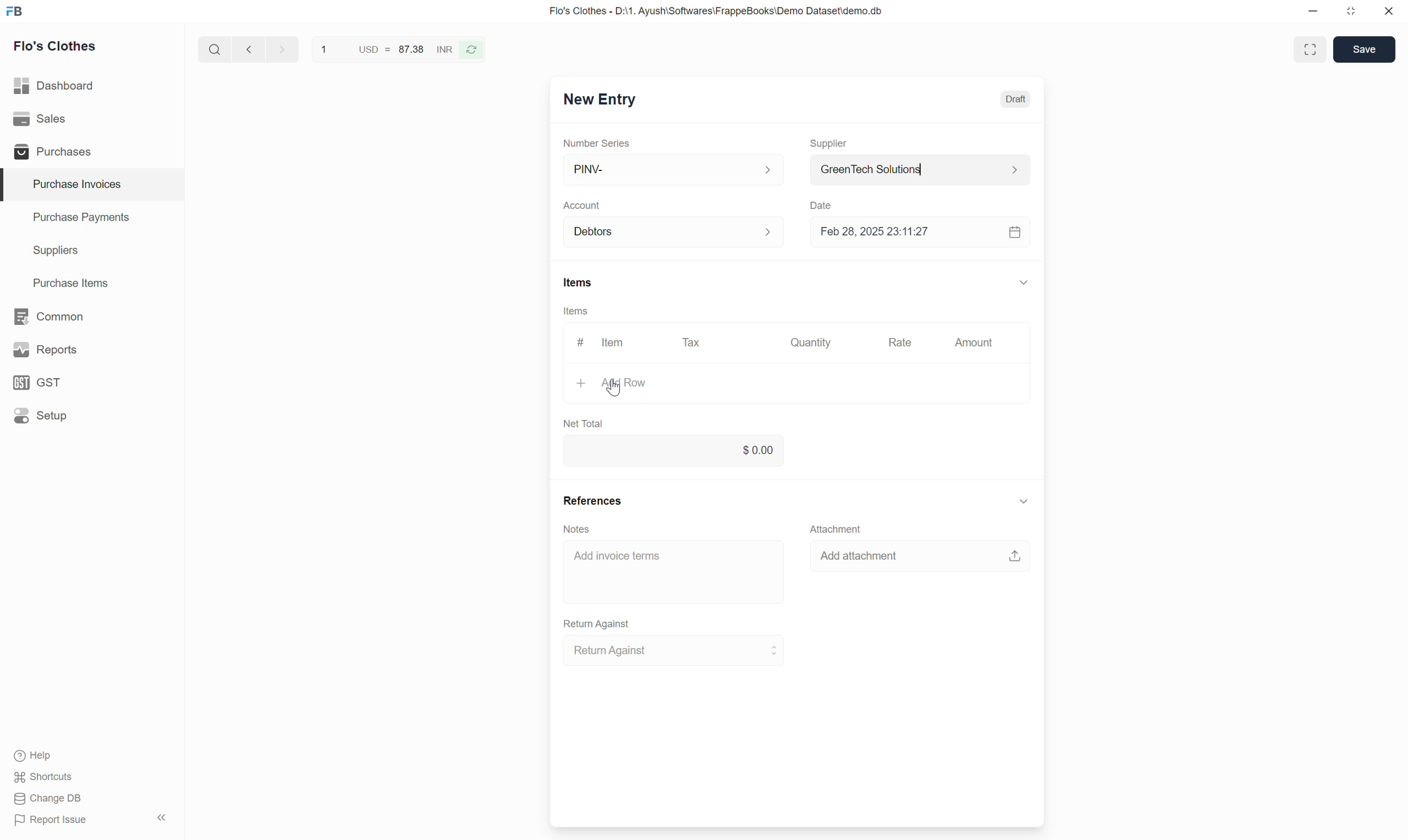  What do you see at coordinates (576, 311) in the screenshot?
I see `Items` at bounding box center [576, 311].